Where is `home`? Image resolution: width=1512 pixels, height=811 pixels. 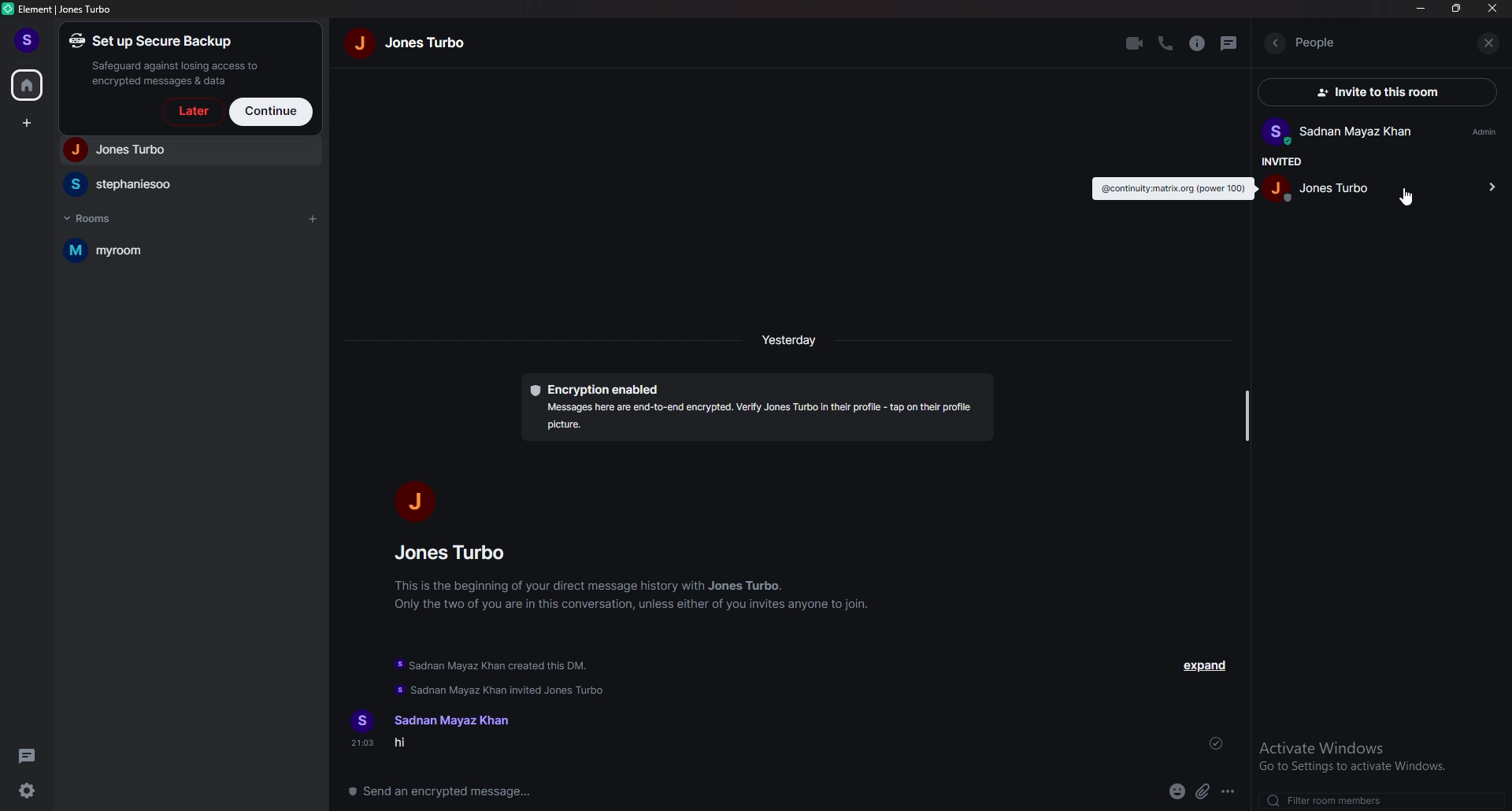 home is located at coordinates (28, 83).